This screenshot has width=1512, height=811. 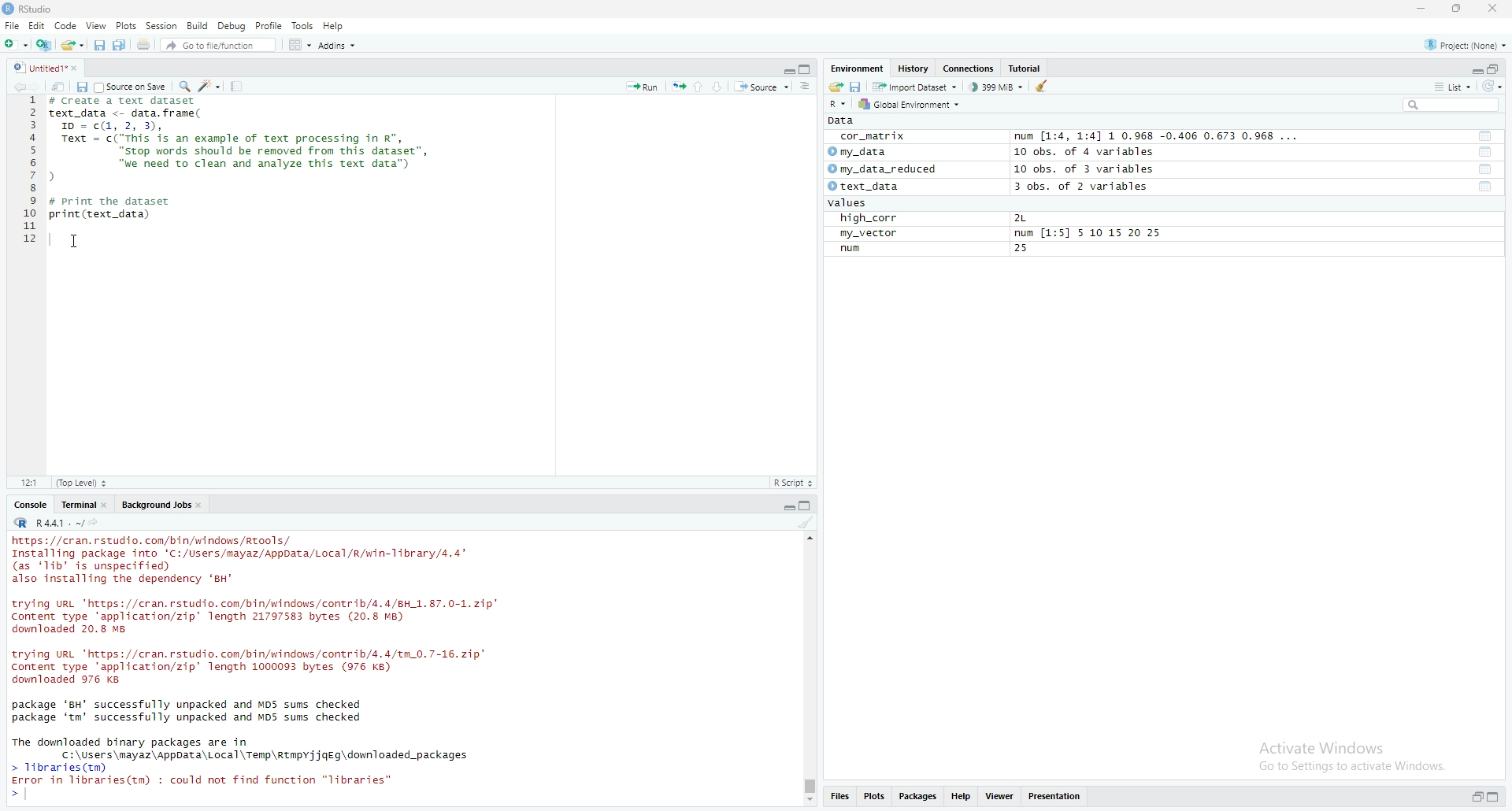 I want to click on presentation, so click(x=1058, y=796).